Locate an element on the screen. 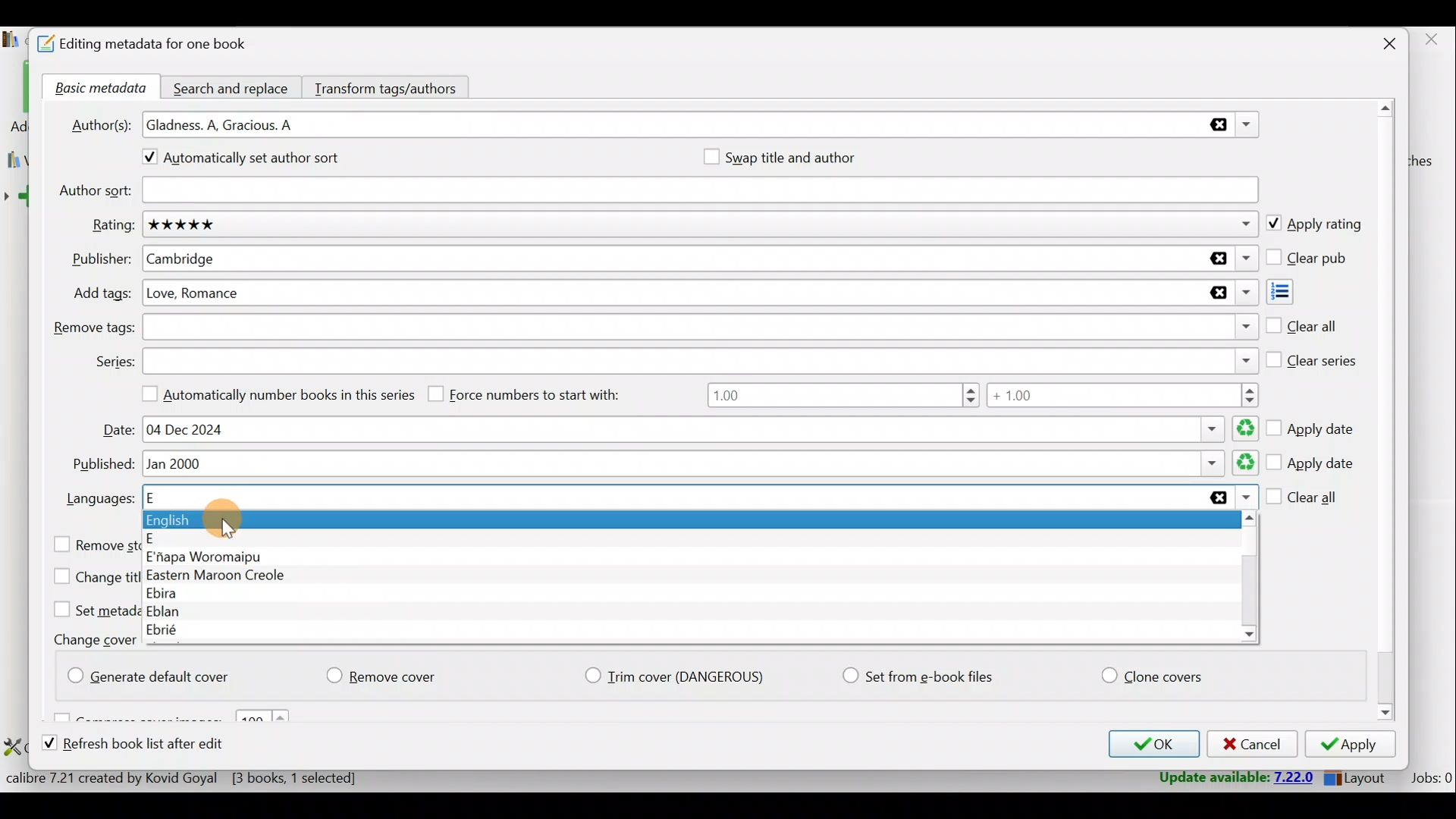  Clear all is located at coordinates (1304, 500).